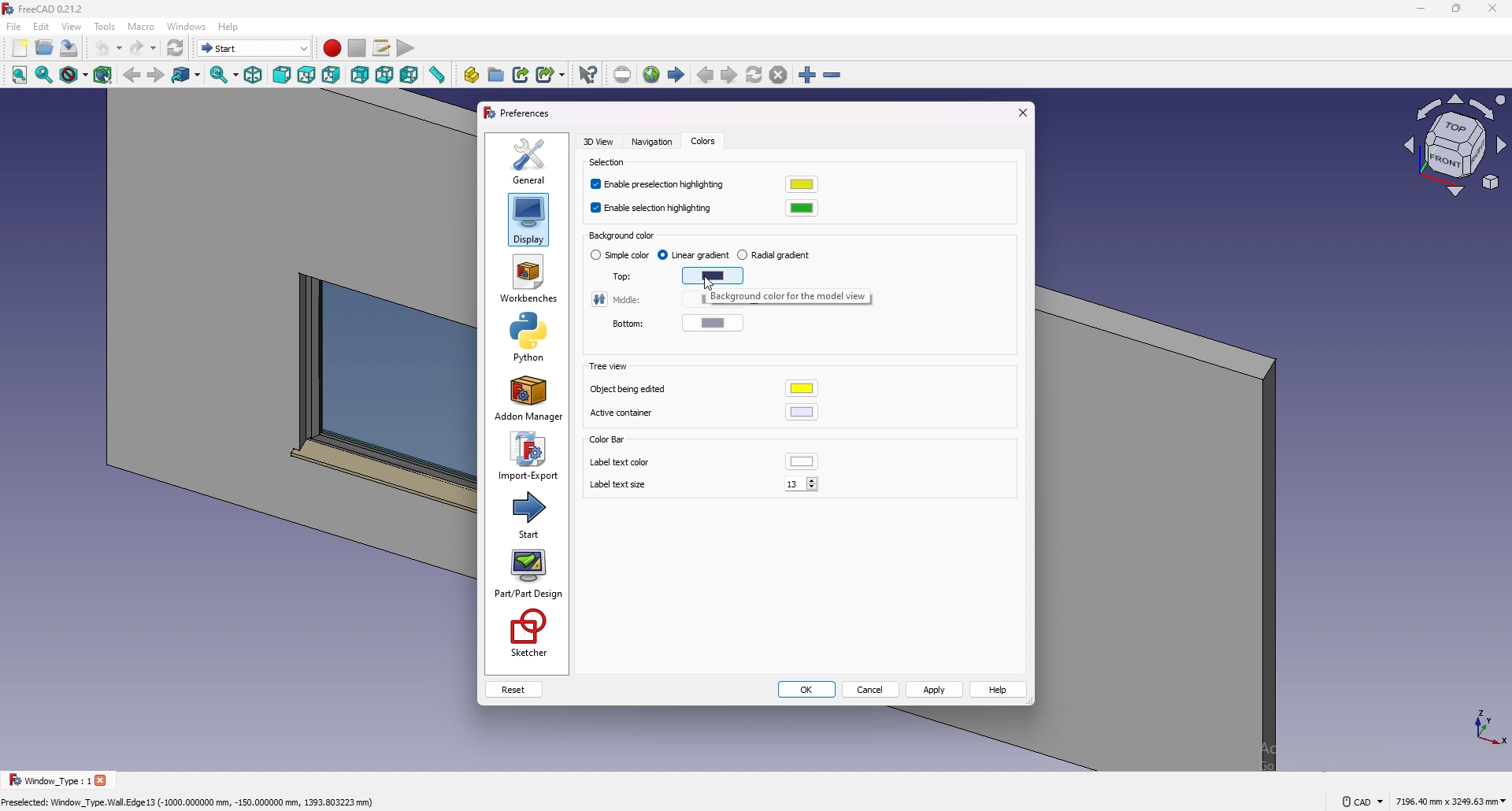 The width and height of the screenshot is (1512, 811). I want to click on close, so click(104, 780).